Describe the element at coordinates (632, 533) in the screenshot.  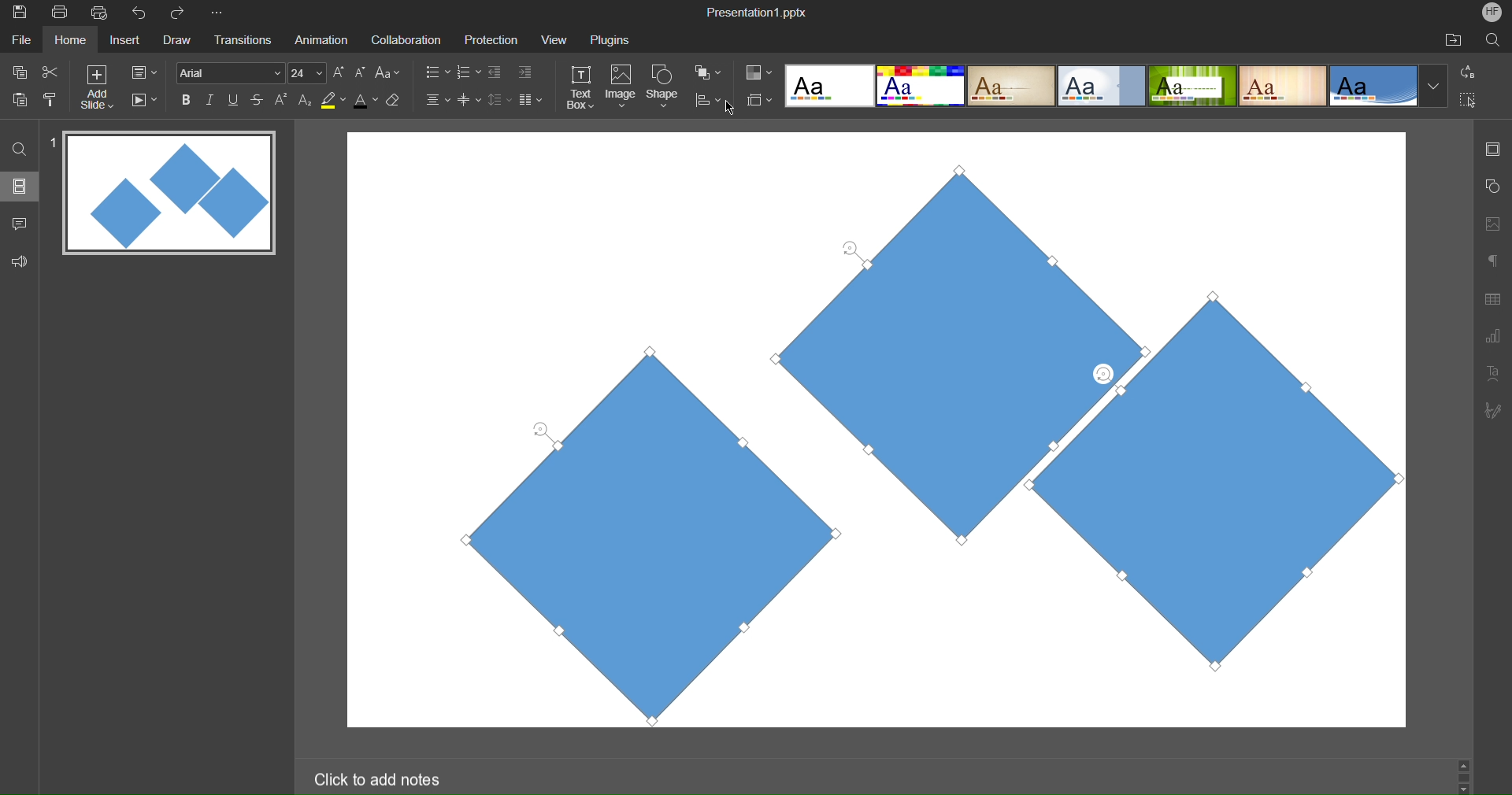
I see `Shape 1 (selected)` at that location.